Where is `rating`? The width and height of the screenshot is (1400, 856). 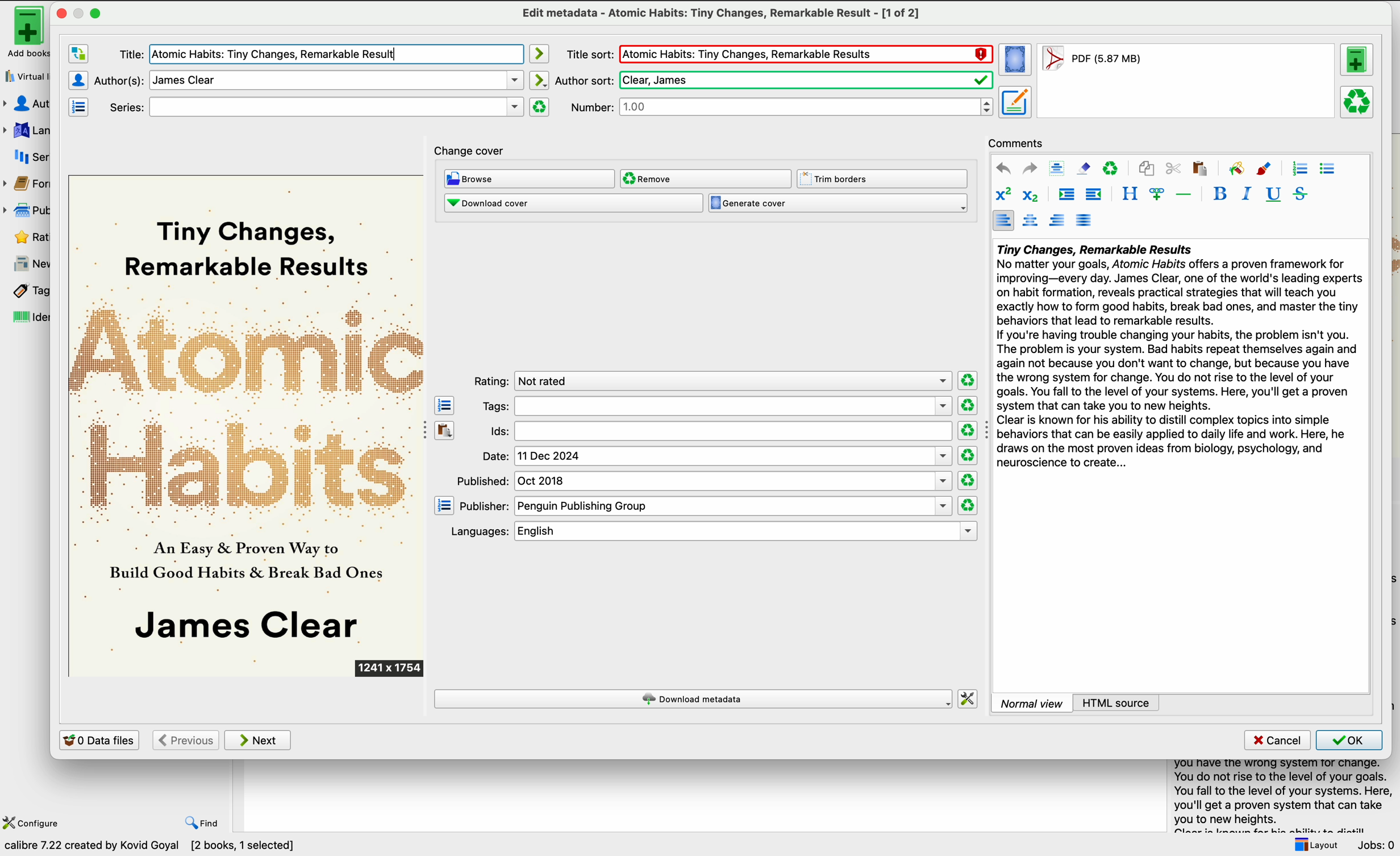
rating is located at coordinates (711, 380).